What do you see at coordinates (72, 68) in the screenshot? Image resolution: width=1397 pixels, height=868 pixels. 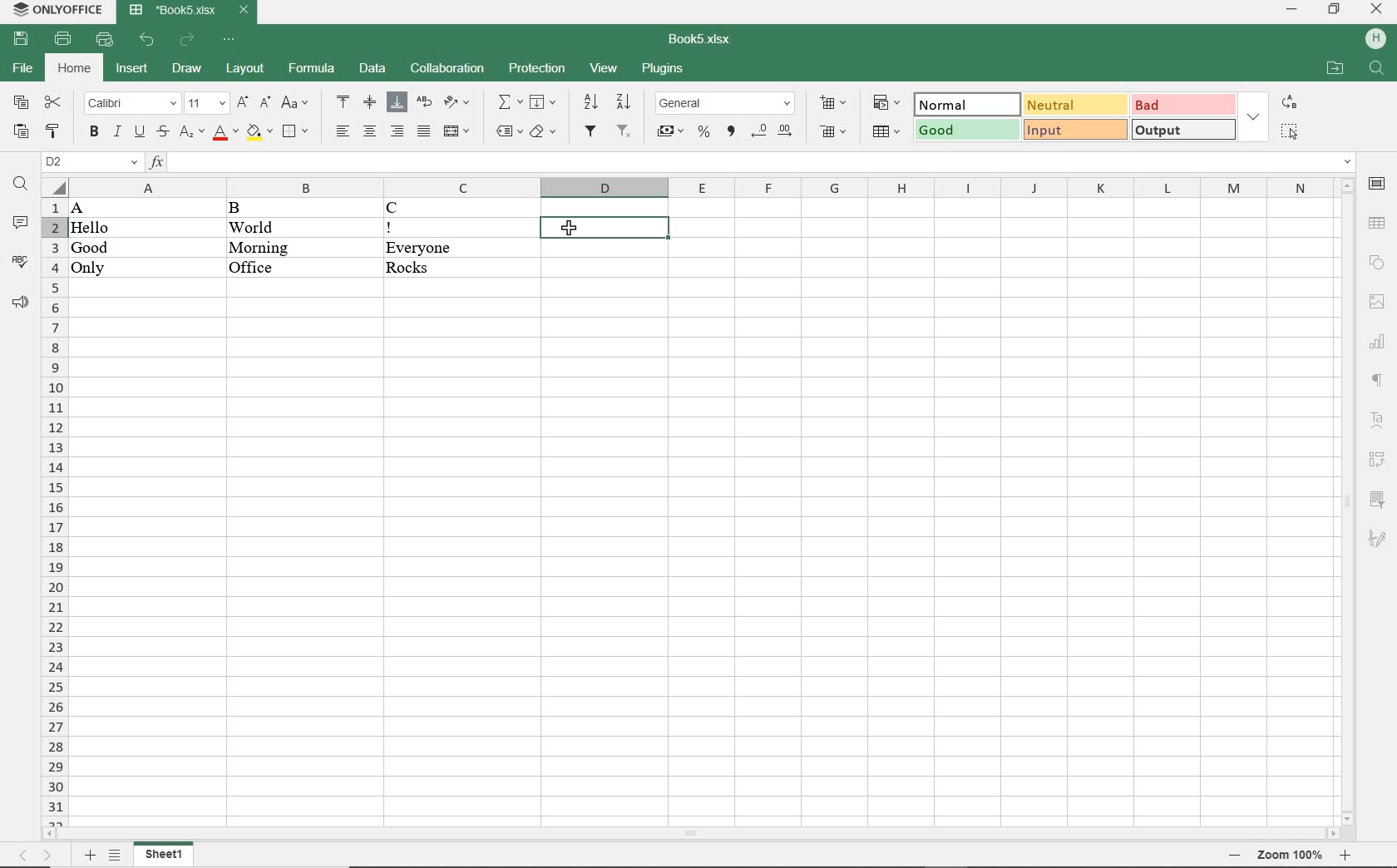 I see `HOME` at bounding box center [72, 68].